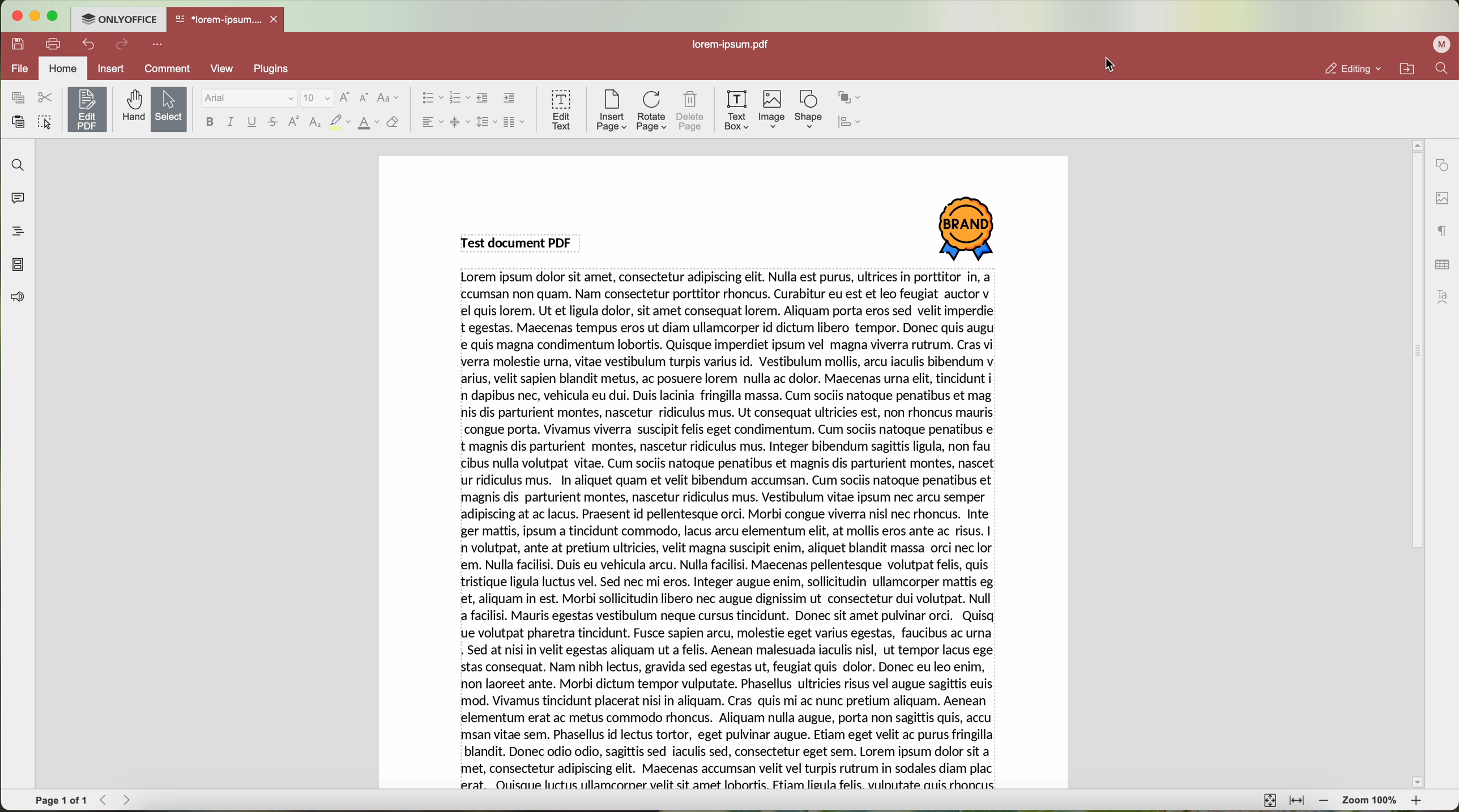  What do you see at coordinates (1371, 802) in the screenshot?
I see `zoom 100%` at bounding box center [1371, 802].